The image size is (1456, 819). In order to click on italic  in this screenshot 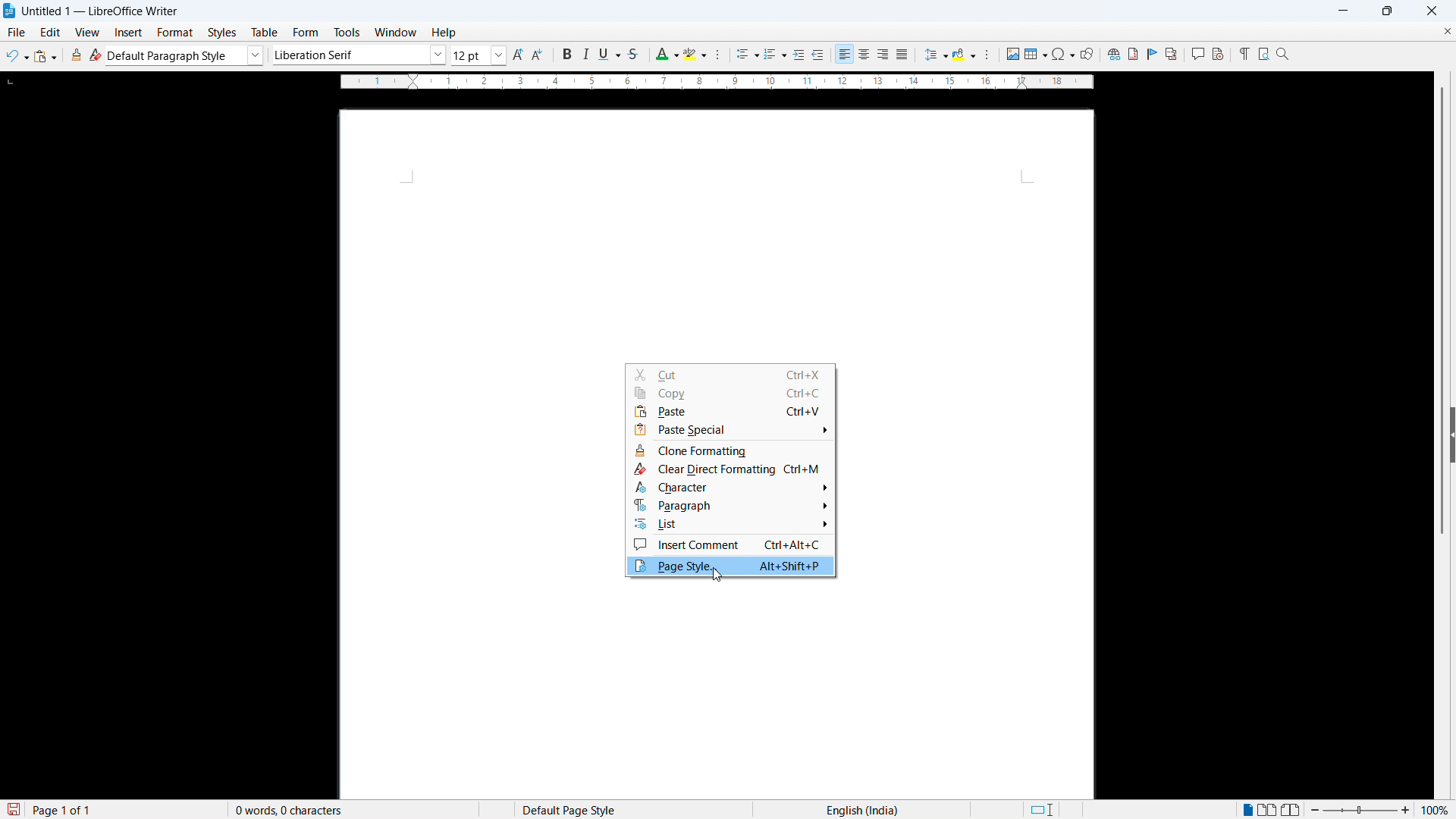, I will do `click(584, 55)`.